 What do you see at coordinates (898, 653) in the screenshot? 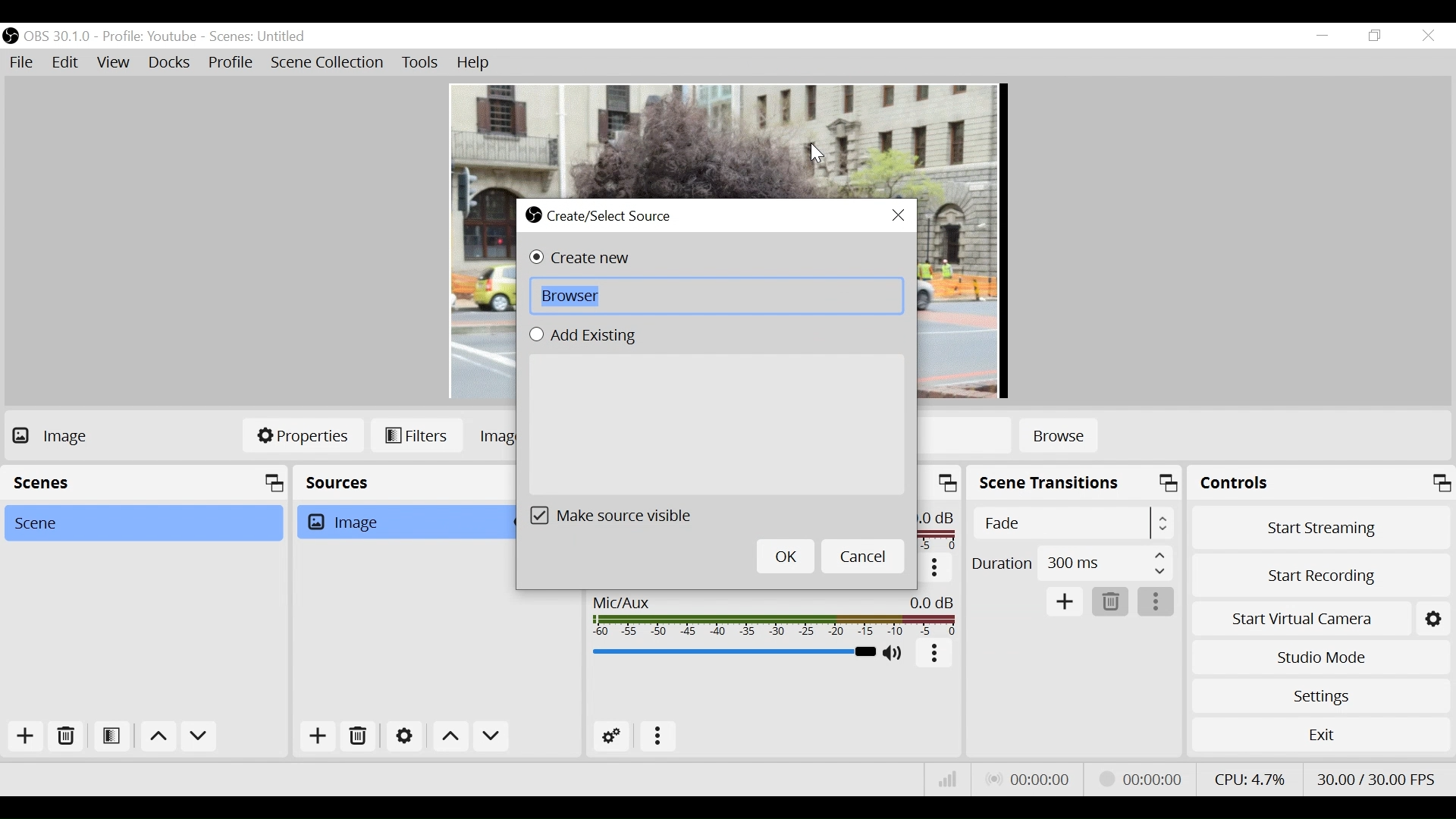
I see `(un)mute` at bounding box center [898, 653].